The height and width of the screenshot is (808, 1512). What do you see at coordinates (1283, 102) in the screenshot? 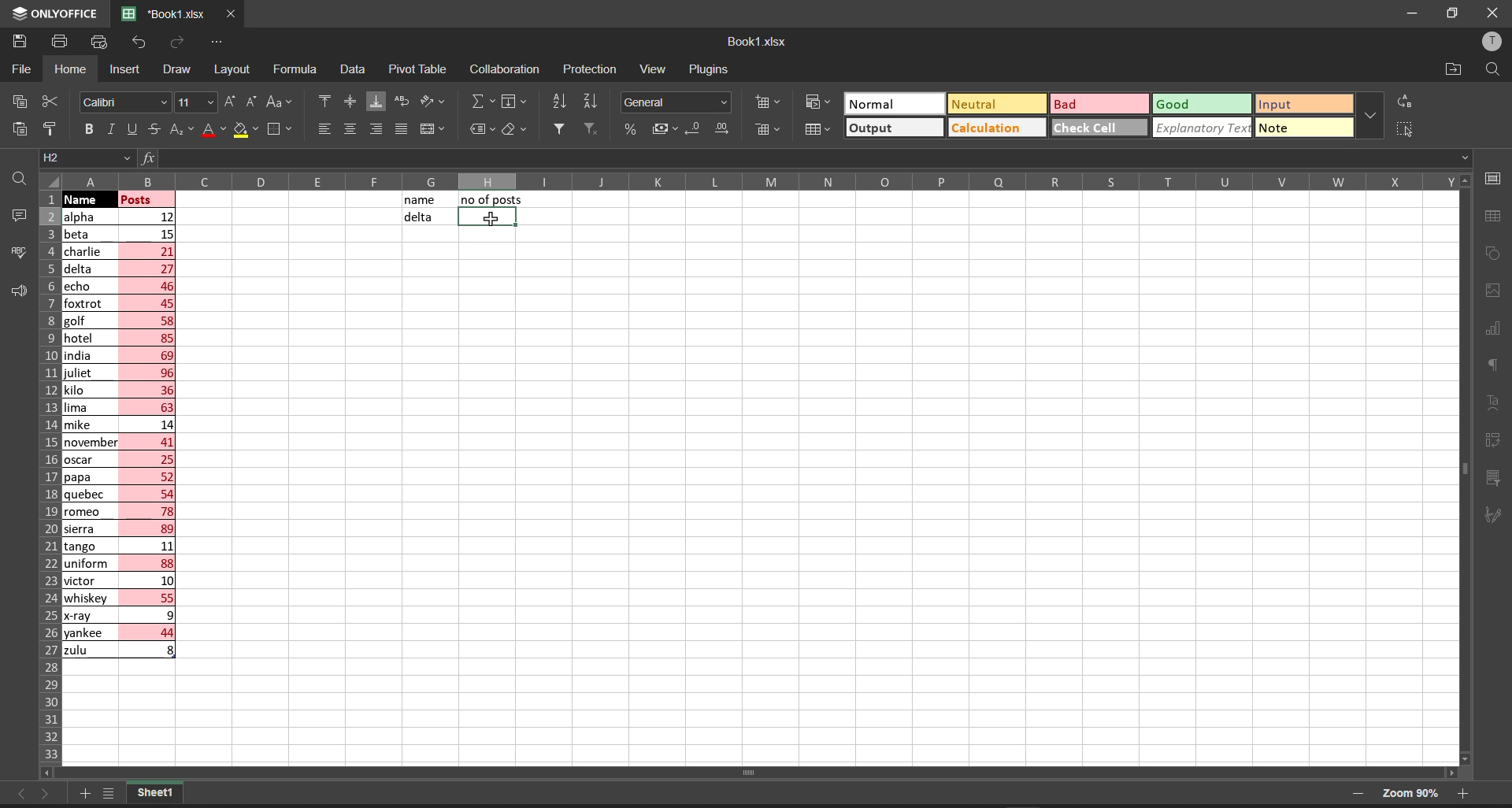
I see `input` at bounding box center [1283, 102].